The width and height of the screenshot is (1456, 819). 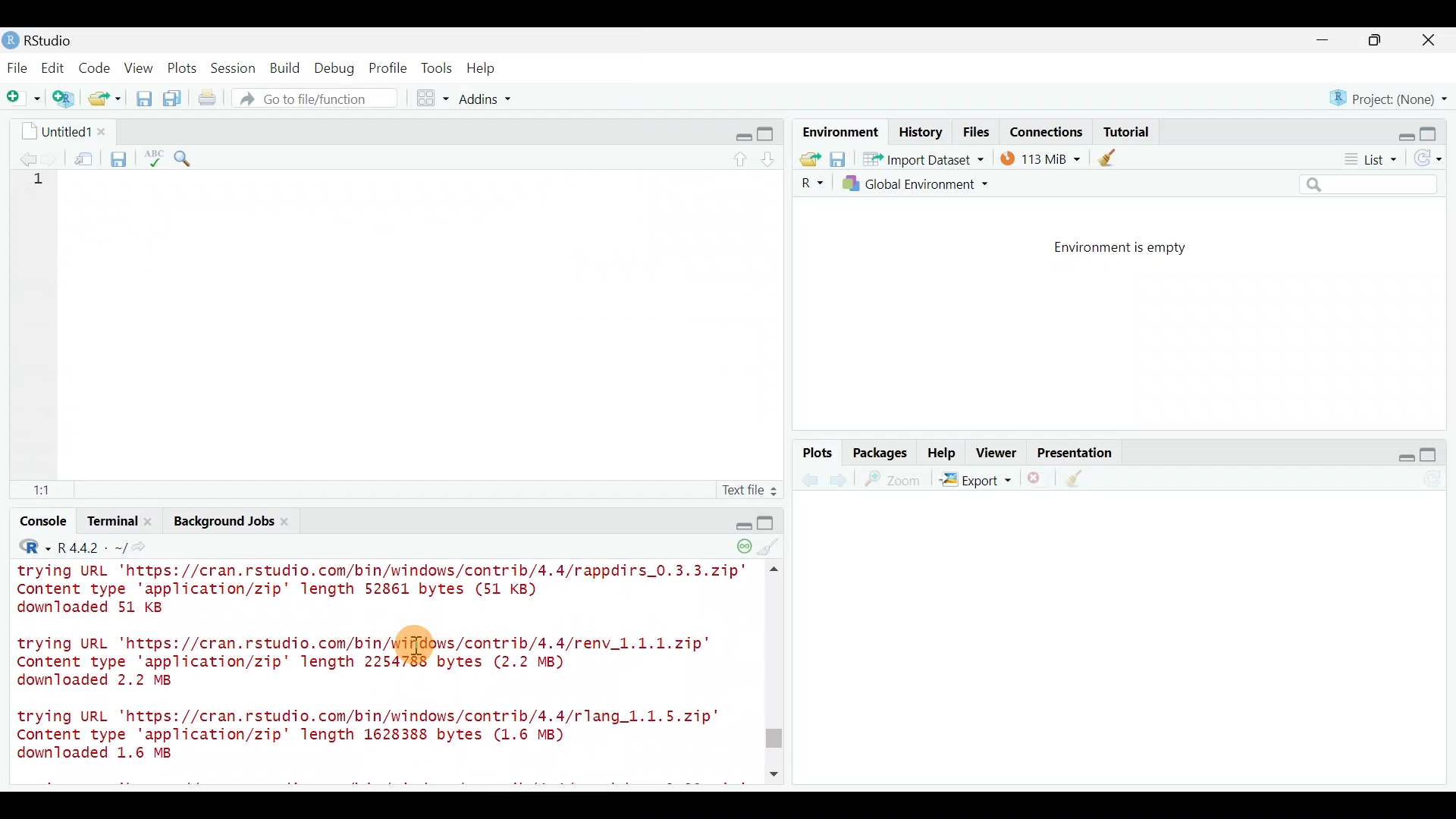 What do you see at coordinates (52, 158) in the screenshot?
I see `go forward to next source location` at bounding box center [52, 158].